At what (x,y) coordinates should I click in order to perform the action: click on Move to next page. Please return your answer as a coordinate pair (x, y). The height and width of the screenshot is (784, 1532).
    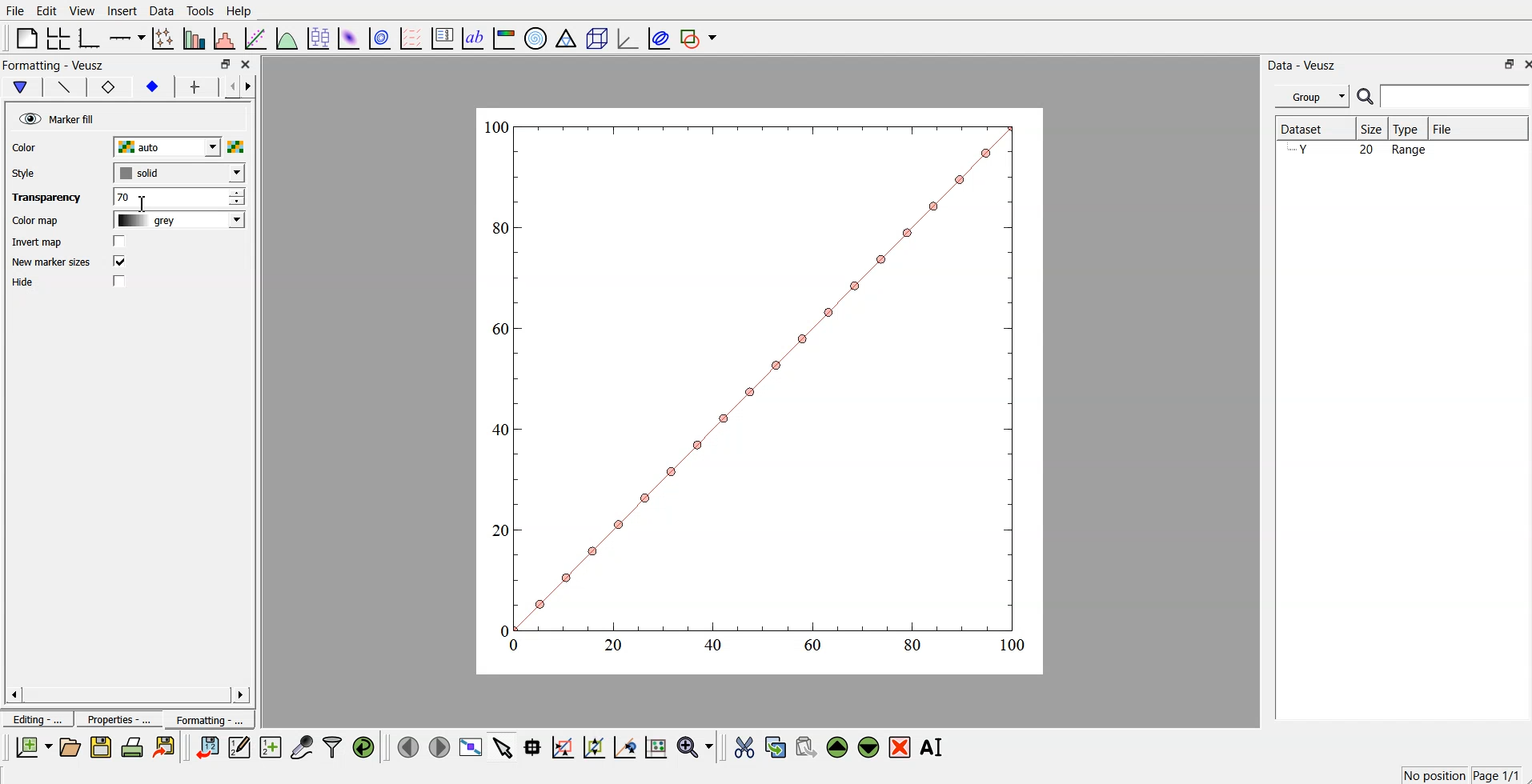
    Looking at the image, I should click on (439, 746).